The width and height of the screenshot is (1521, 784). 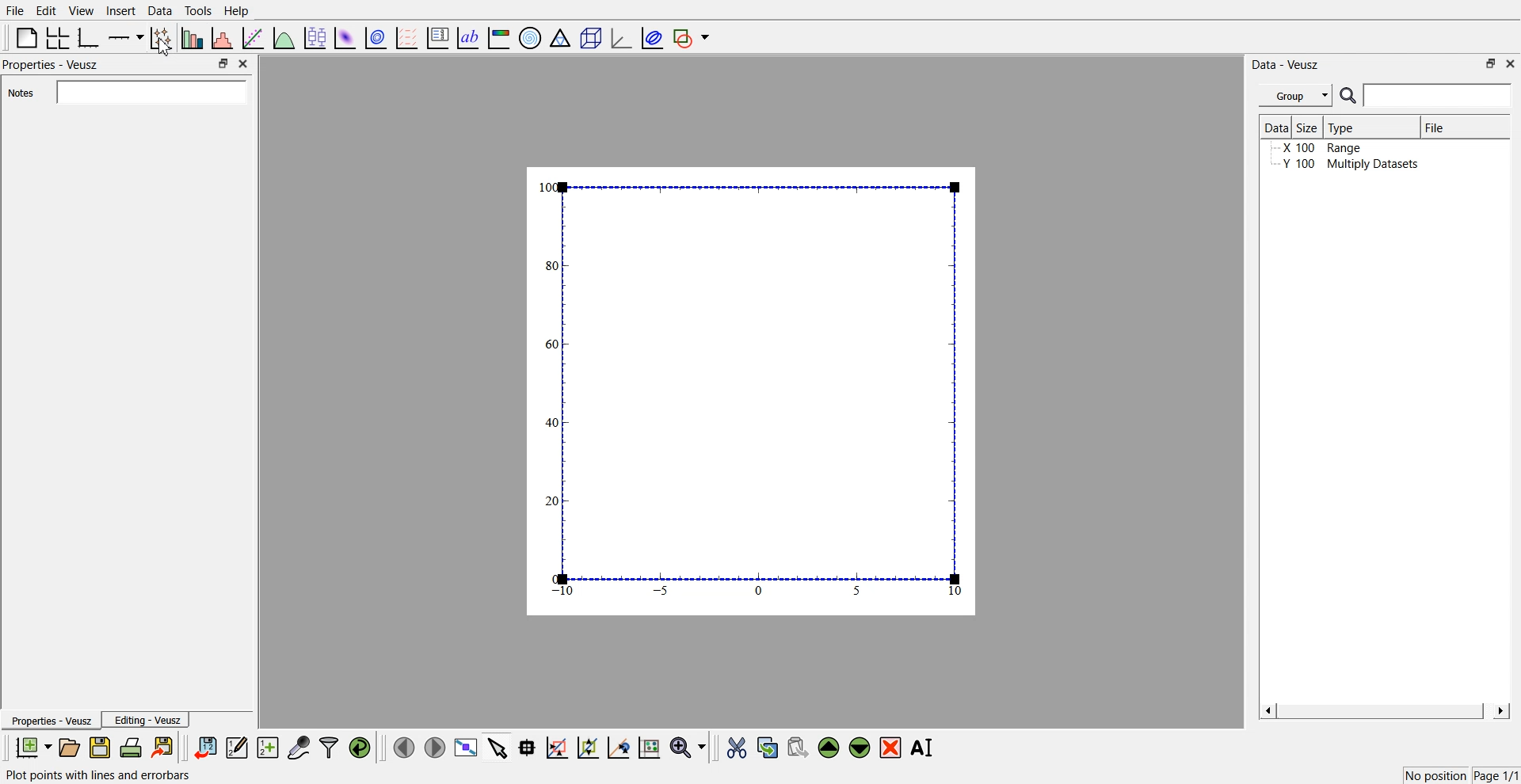 What do you see at coordinates (688, 748) in the screenshot?
I see `zoom funtions` at bounding box center [688, 748].